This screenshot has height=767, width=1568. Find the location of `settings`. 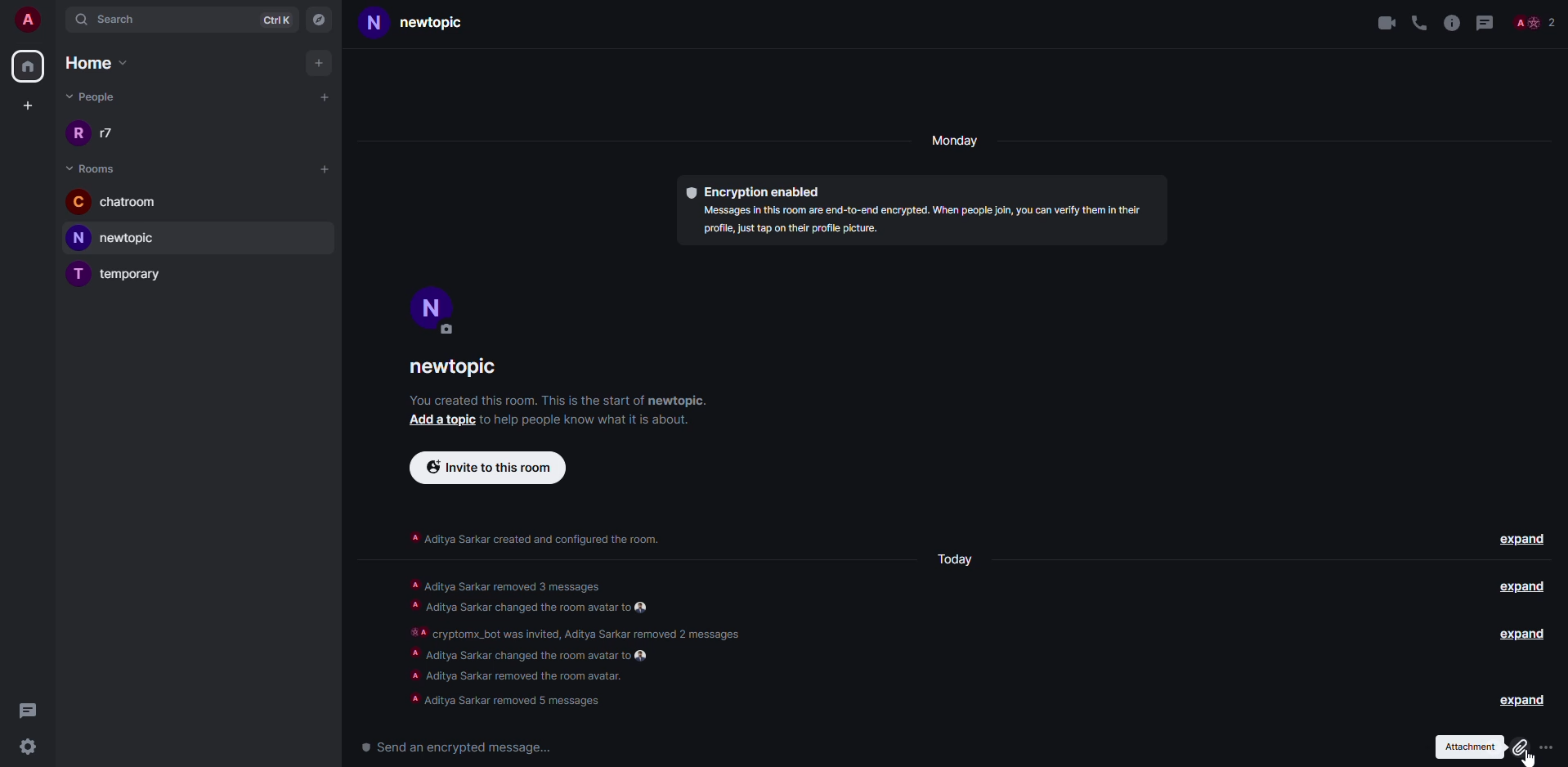

settings is located at coordinates (31, 747).